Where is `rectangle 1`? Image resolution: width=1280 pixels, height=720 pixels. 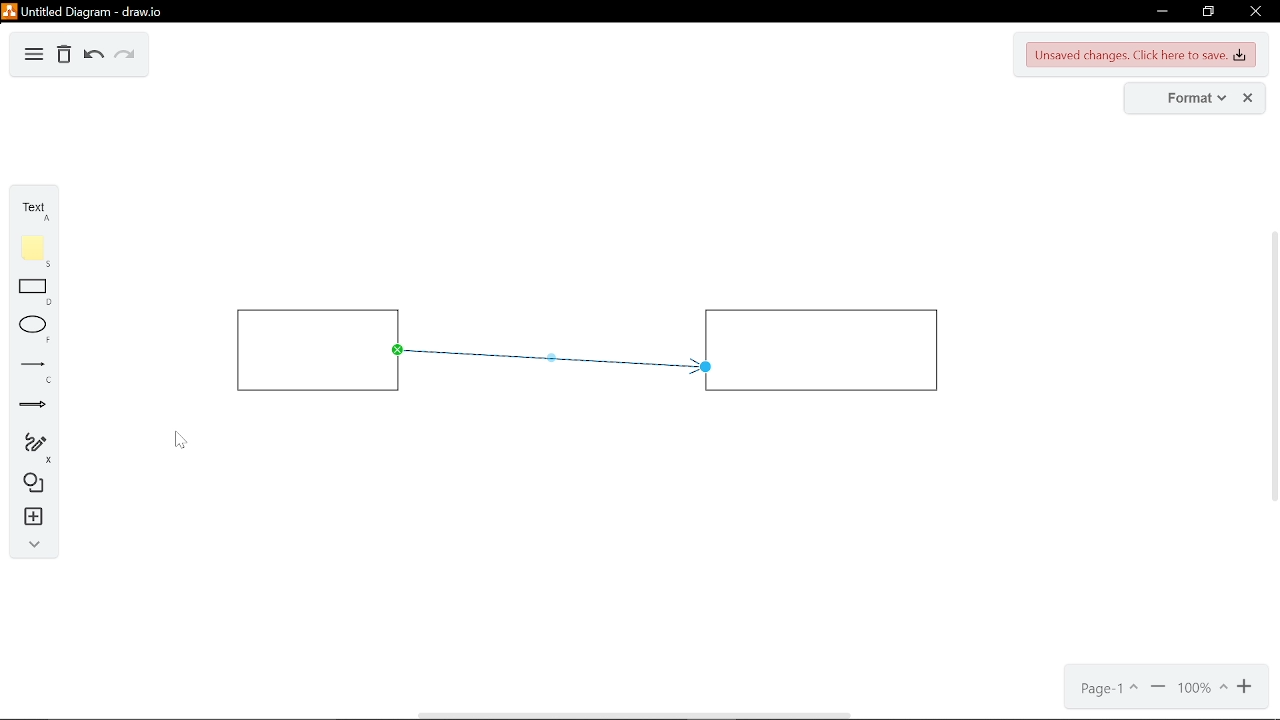 rectangle 1 is located at coordinates (314, 350).